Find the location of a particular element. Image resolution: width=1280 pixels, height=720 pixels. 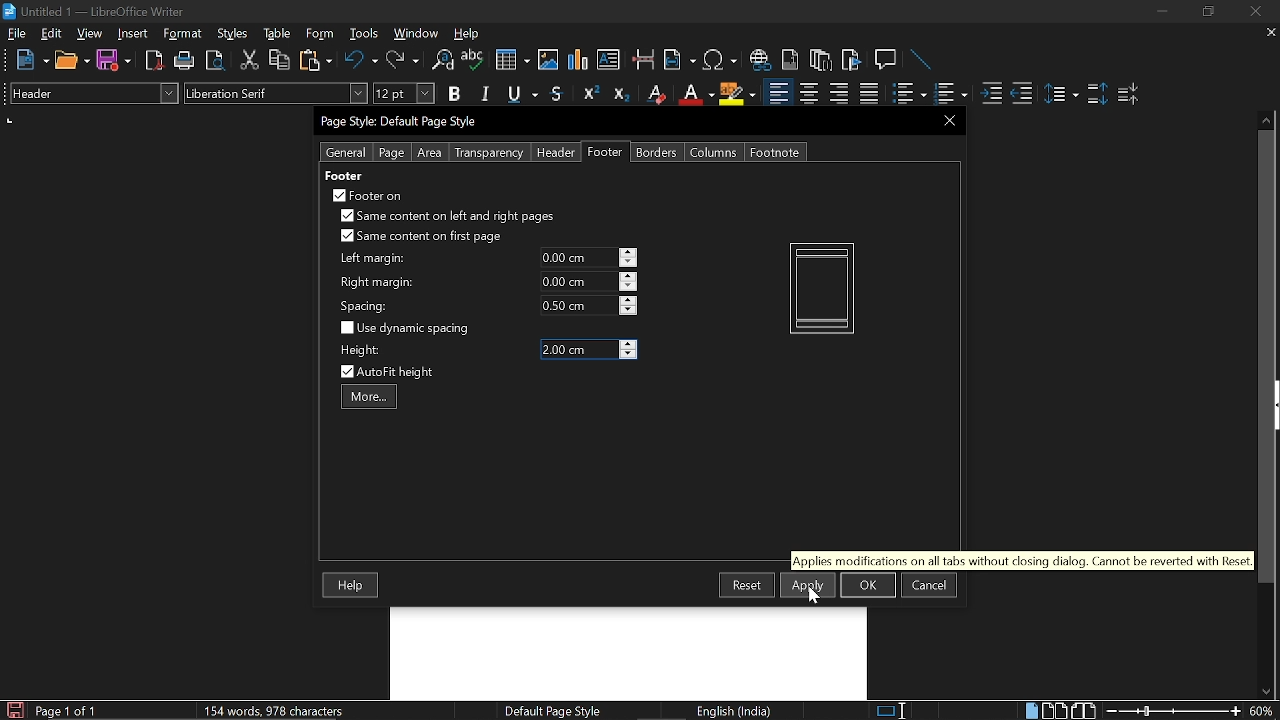

current spacing is located at coordinates (578, 305).